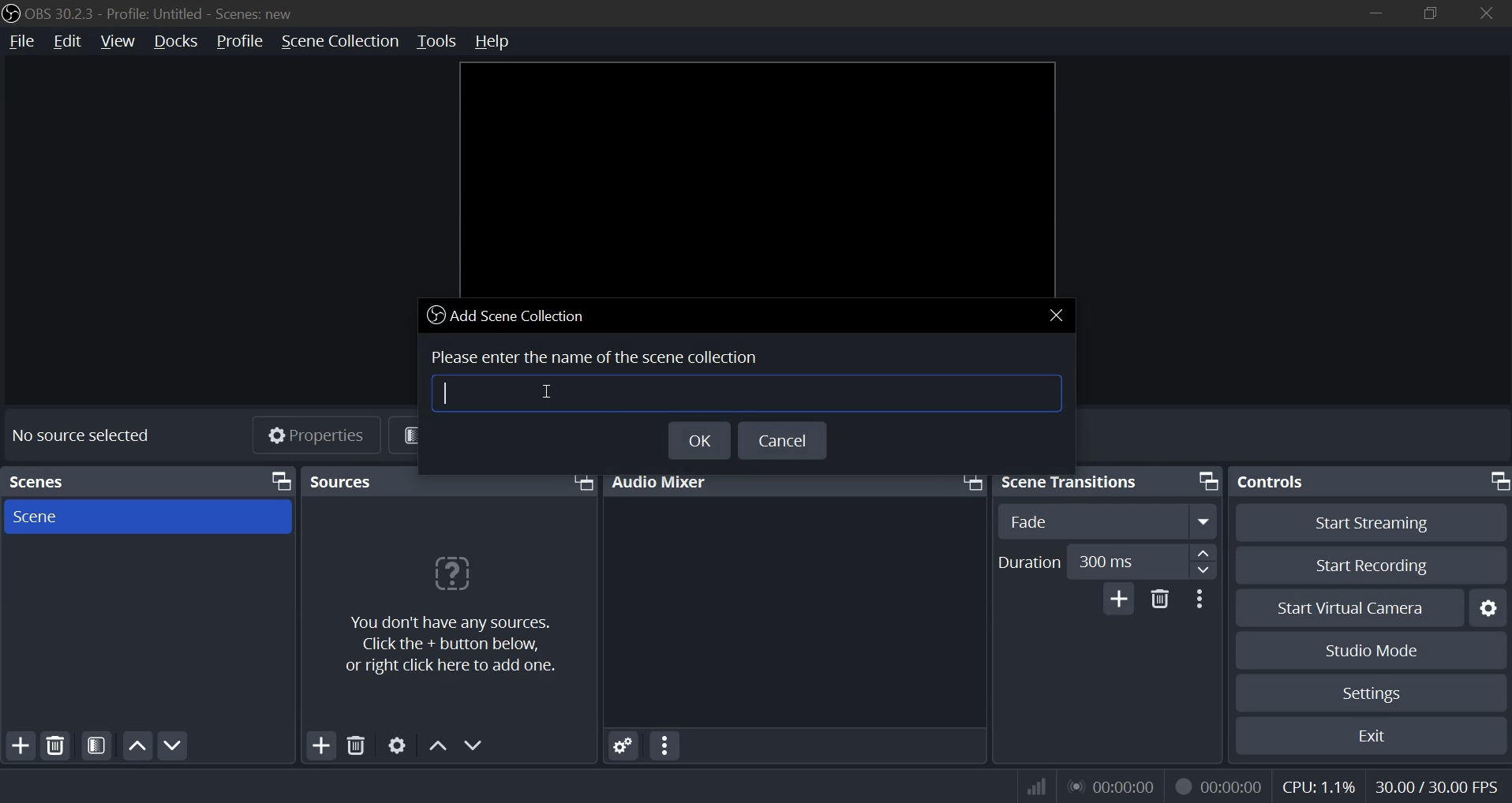  I want to click on Properties, so click(320, 436).